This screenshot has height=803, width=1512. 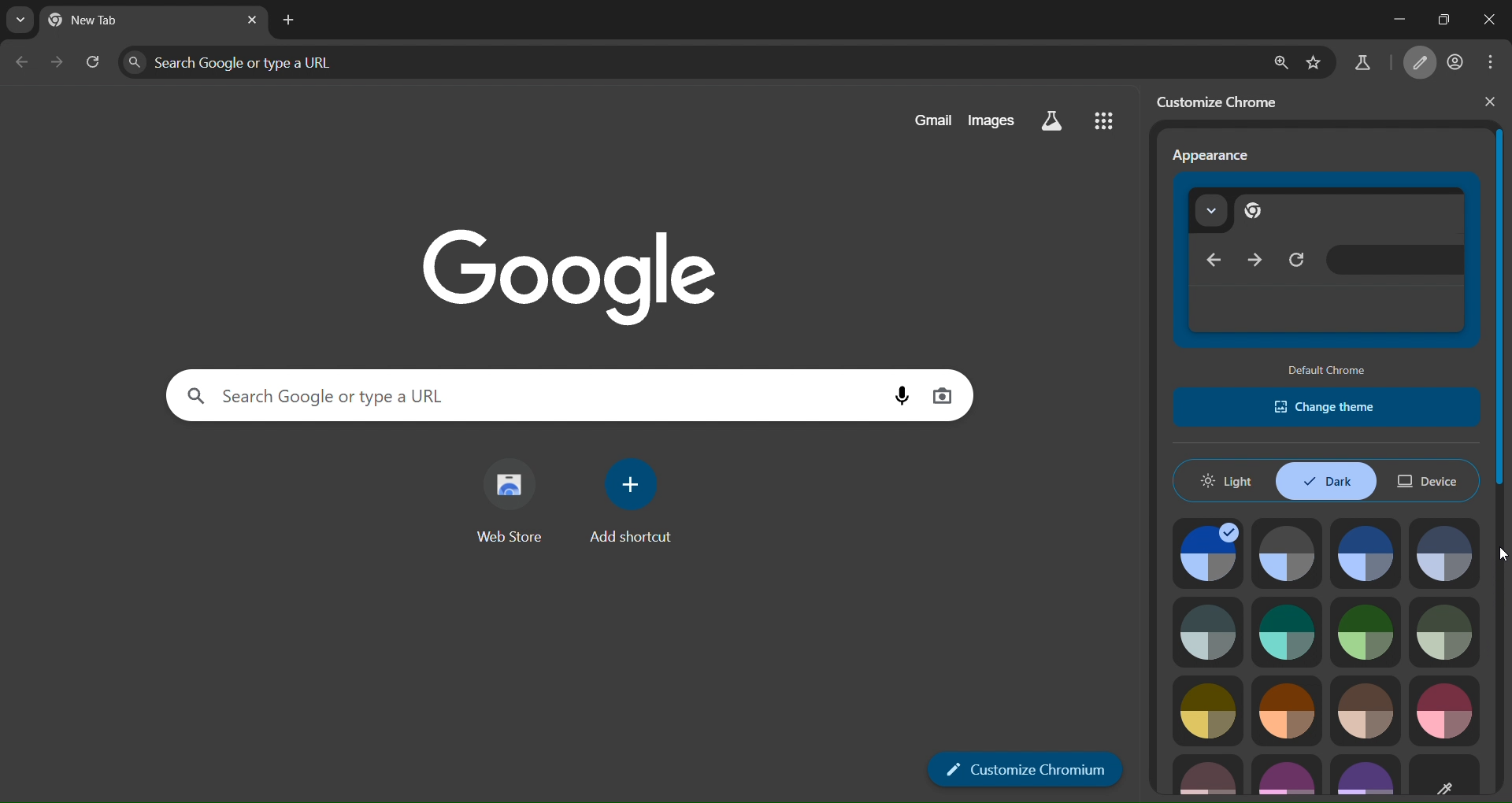 I want to click on search tabs, so click(x=17, y=20).